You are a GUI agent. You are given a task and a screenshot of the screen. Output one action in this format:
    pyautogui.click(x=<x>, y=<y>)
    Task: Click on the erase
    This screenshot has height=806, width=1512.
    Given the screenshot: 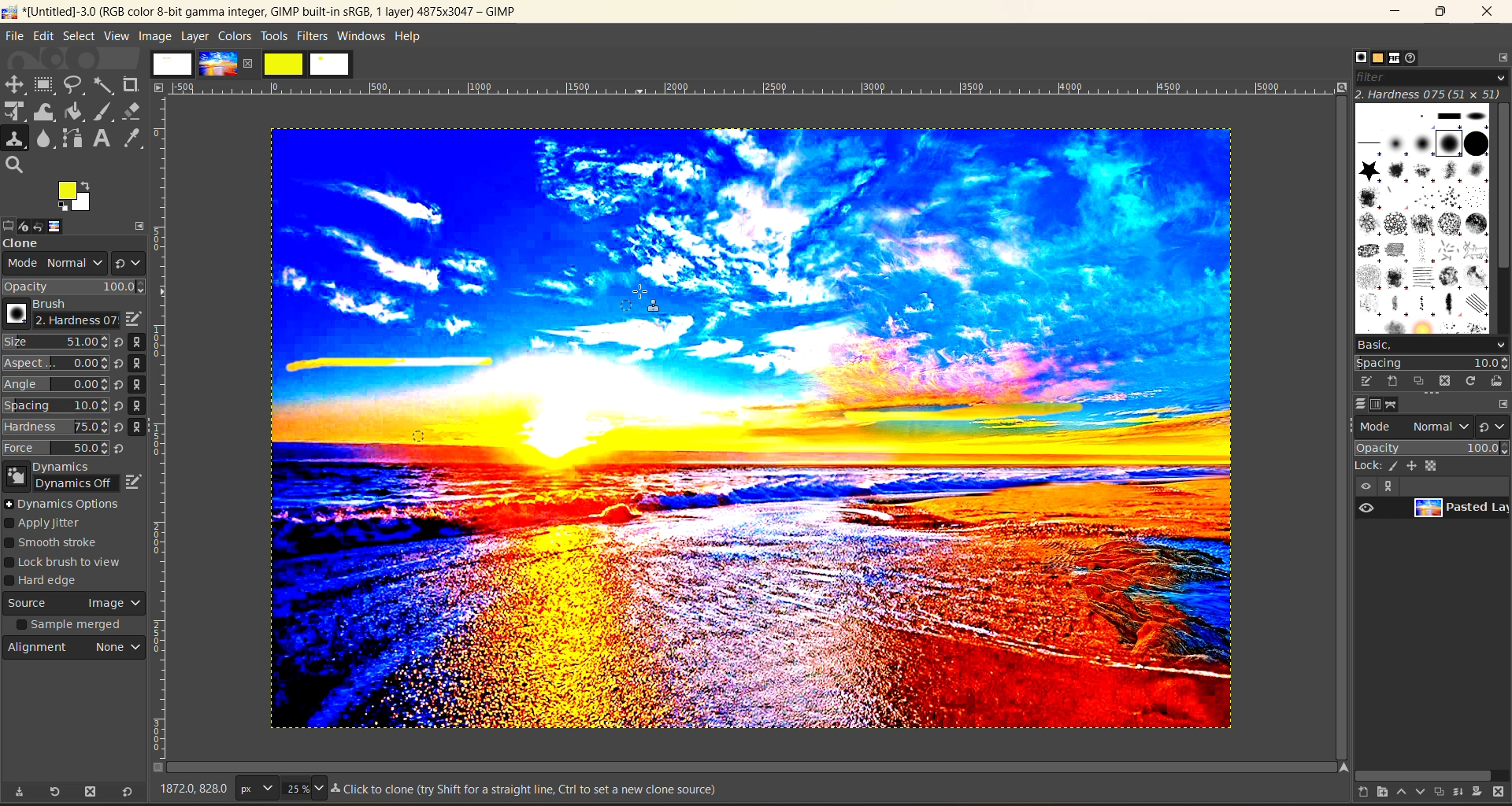 What is the action you would take?
    pyautogui.click(x=132, y=111)
    